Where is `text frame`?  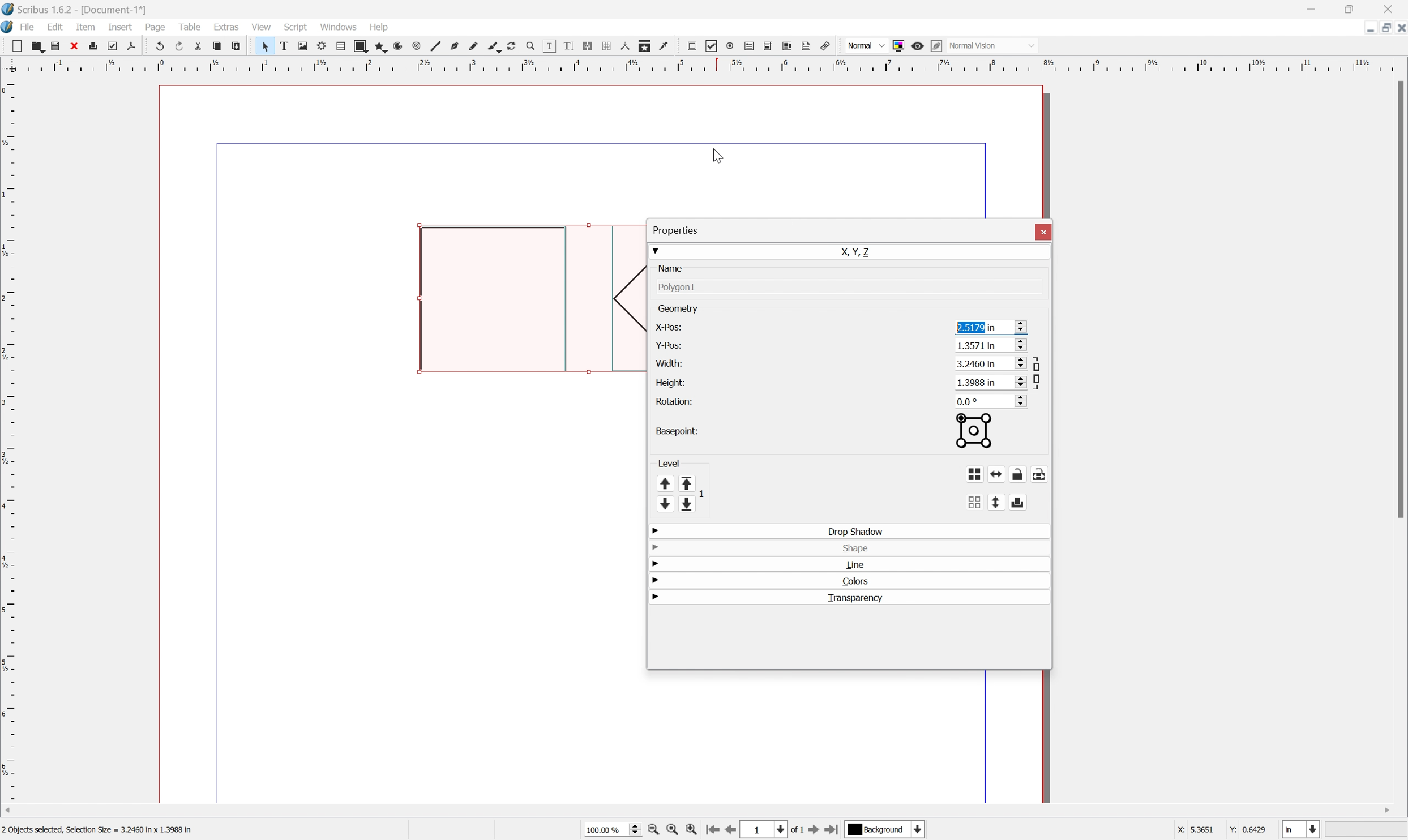 text frame is located at coordinates (281, 46).